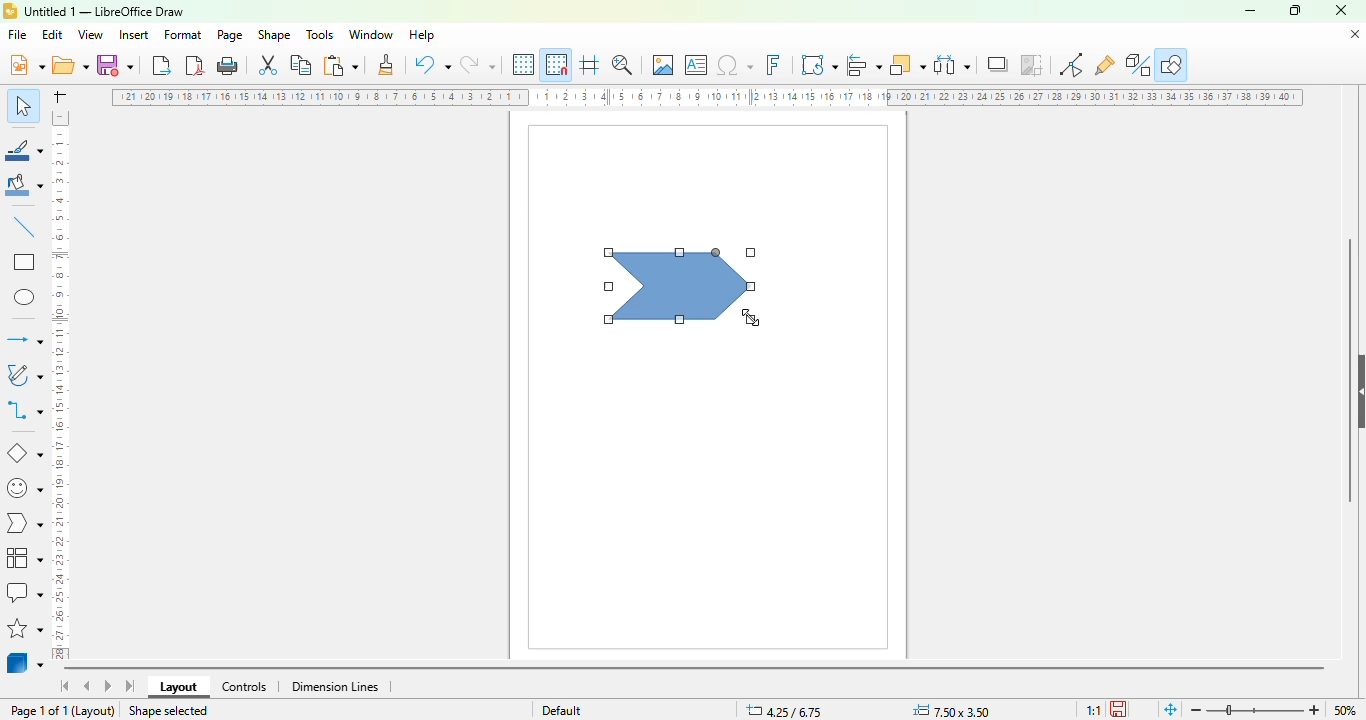  I want to click on window, so click(371, 35).